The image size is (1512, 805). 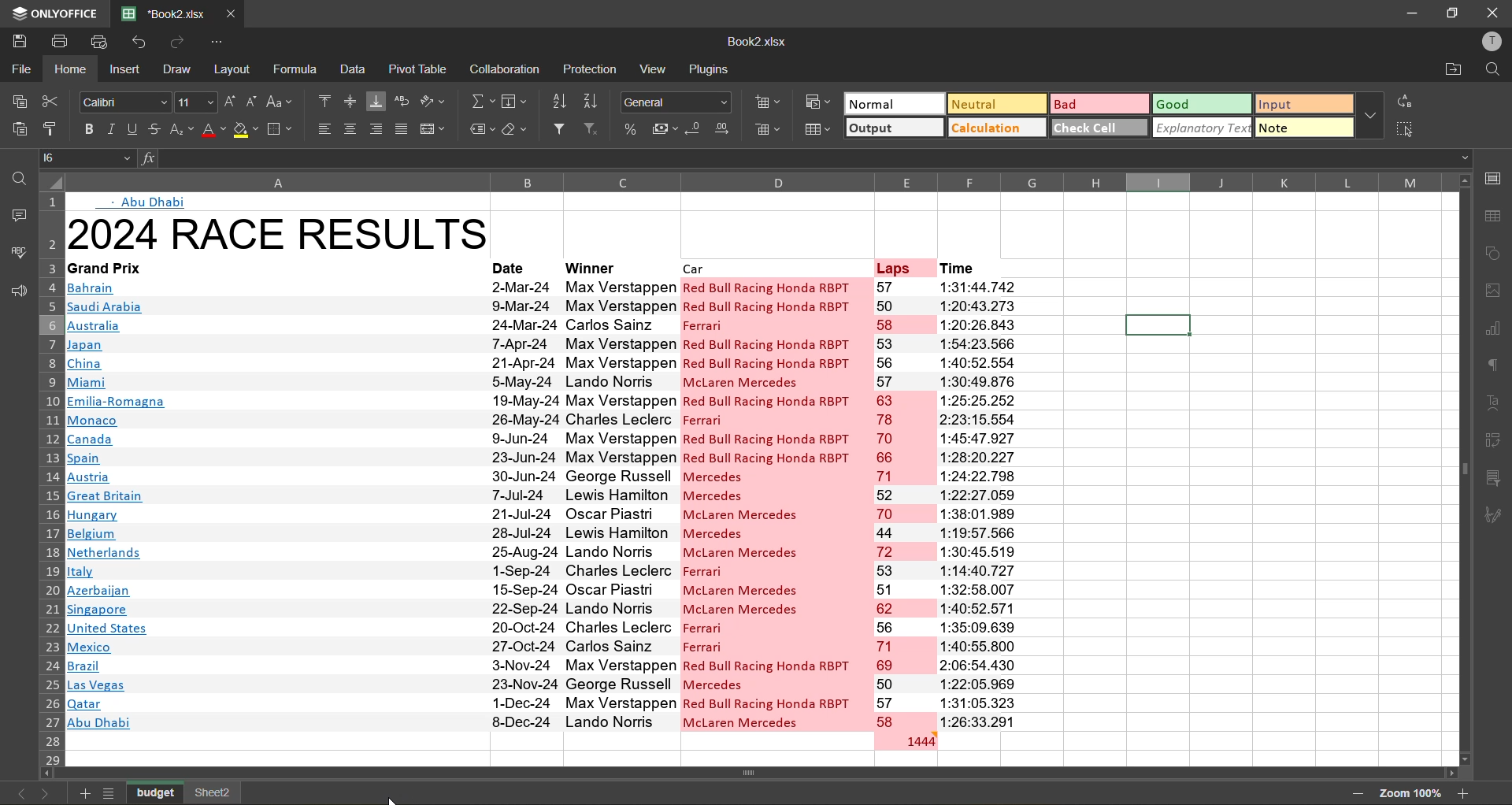 I want to click on print, so click(x=58, y=42).